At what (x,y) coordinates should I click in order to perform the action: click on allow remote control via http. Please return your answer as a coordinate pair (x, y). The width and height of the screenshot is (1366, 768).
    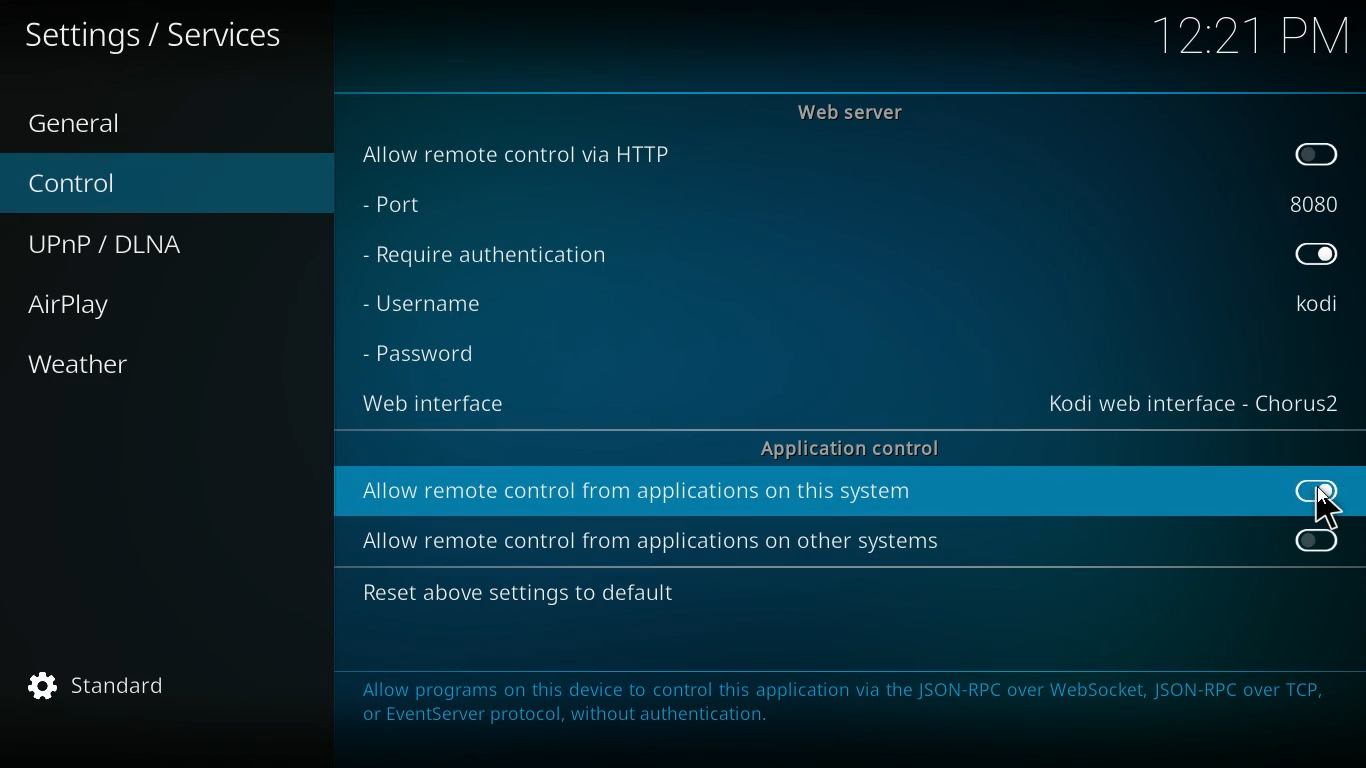
    Looking at the image, I should click on (520, 153).